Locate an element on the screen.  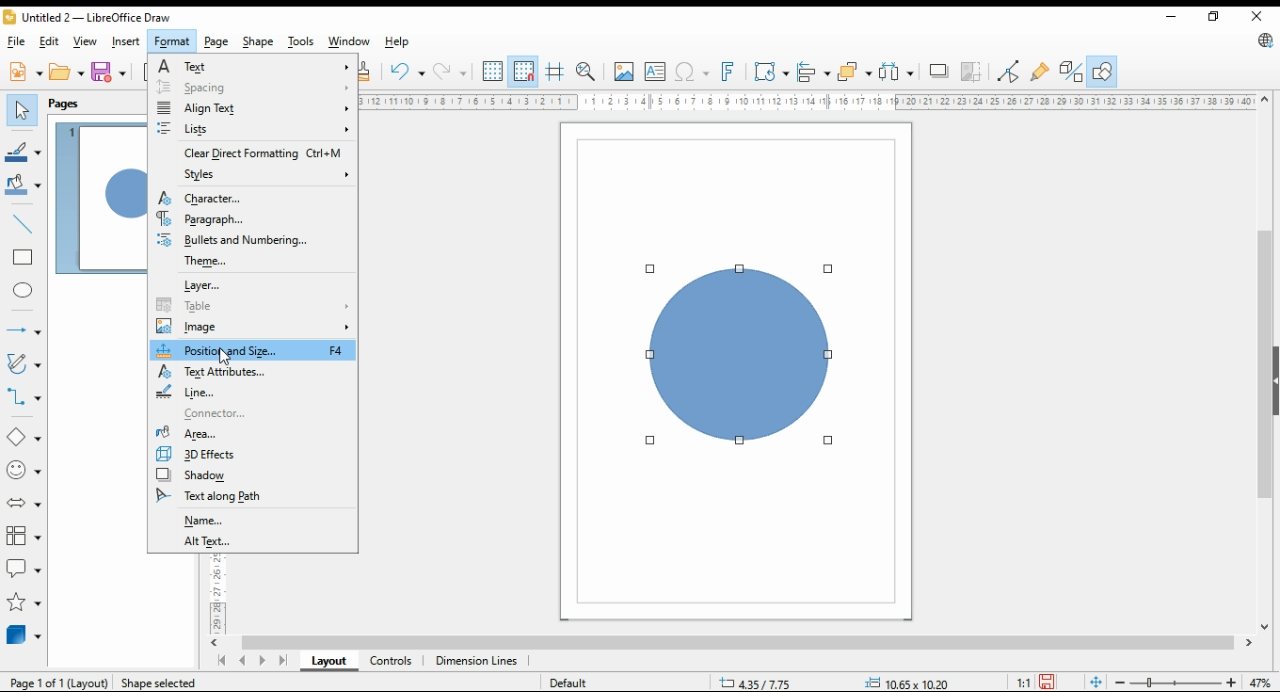
line is located at coordinates (192, 392).